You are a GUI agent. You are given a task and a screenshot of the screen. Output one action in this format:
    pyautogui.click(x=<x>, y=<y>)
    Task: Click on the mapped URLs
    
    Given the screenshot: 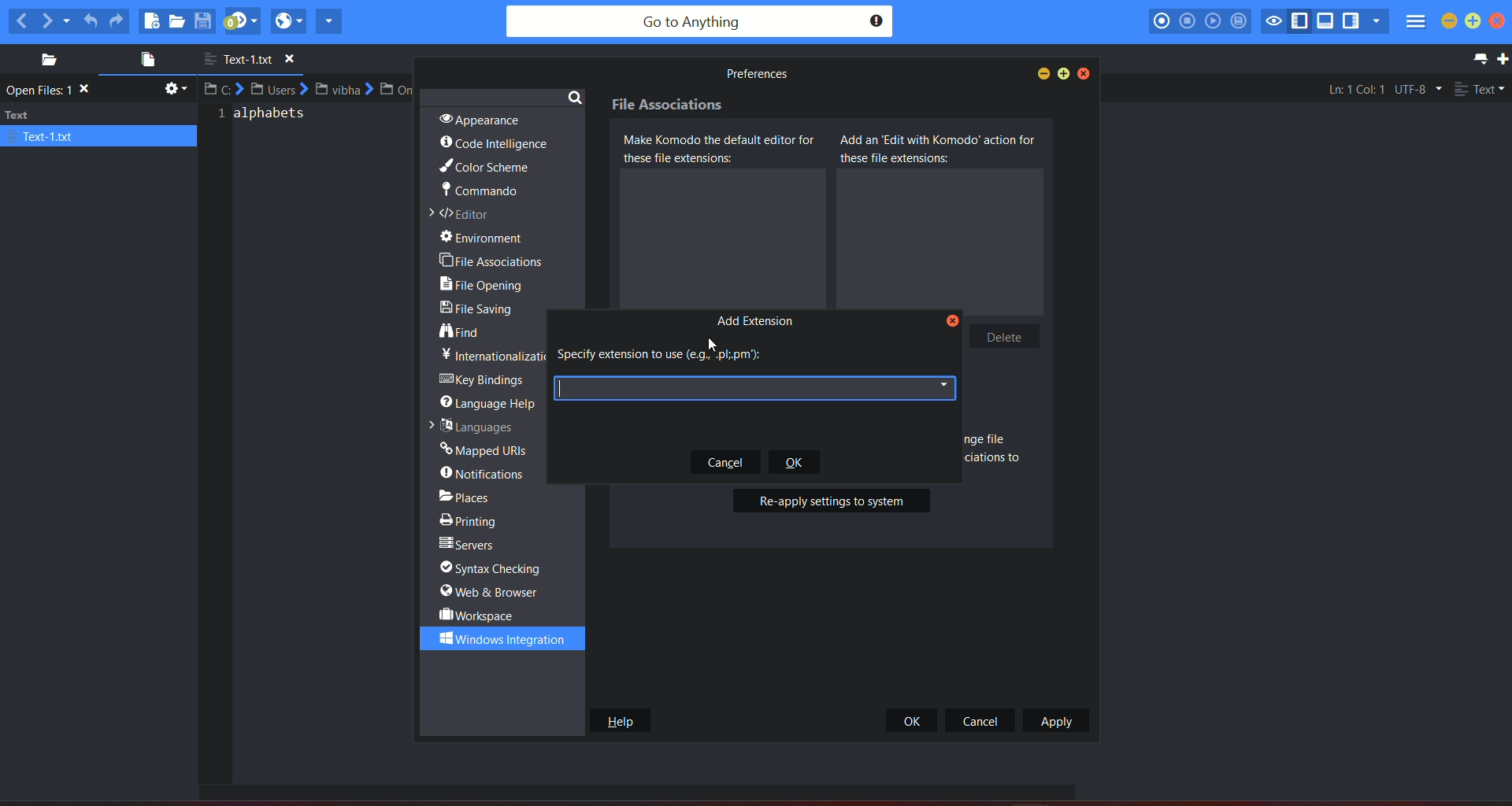 What is the action you would take?
    pyautogui.click(x=485, y=448)
    